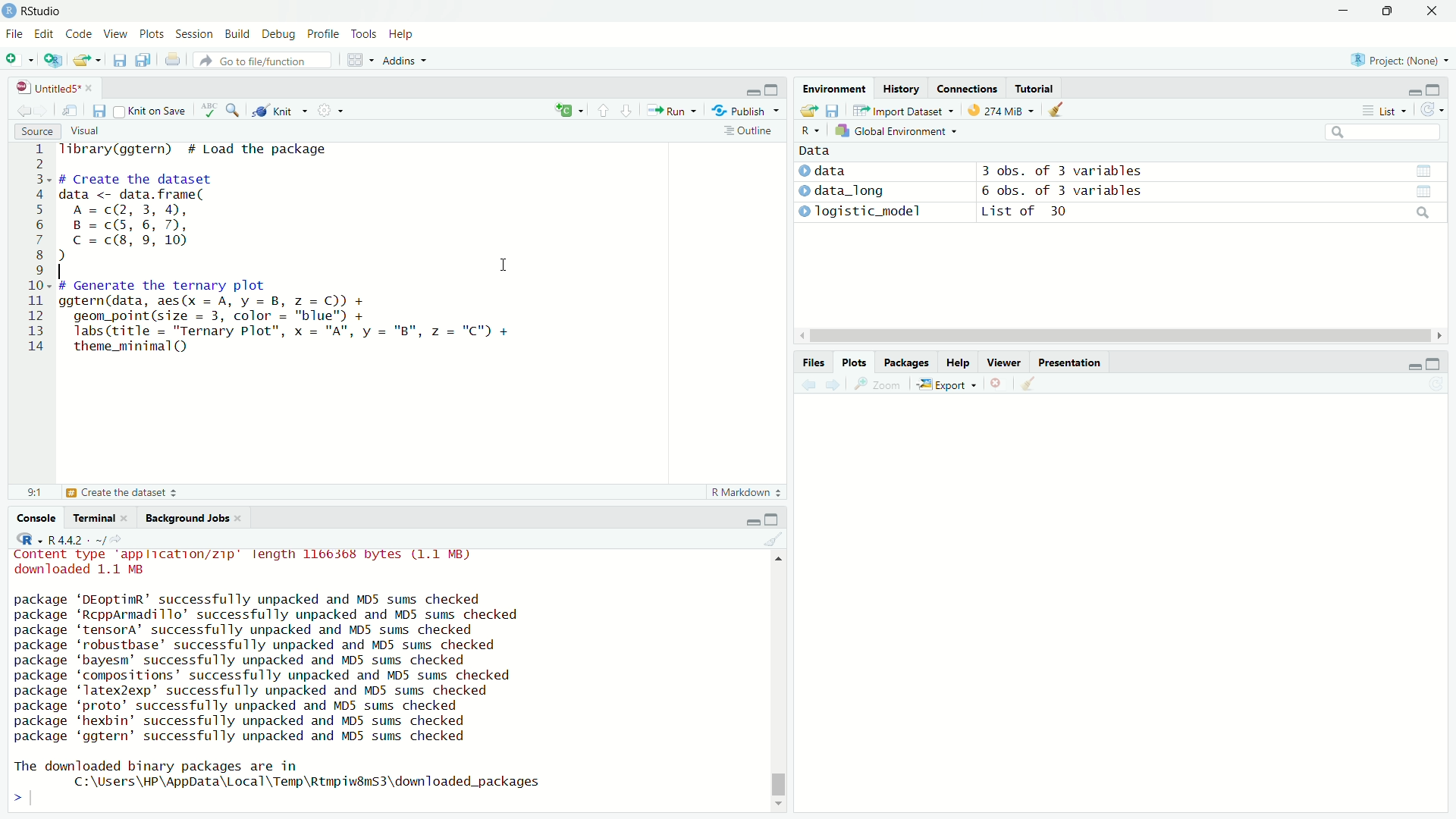 The width and height of the screenshot is (1456, 819). I want to click on Generate the ternary plot, so click(139, 493).